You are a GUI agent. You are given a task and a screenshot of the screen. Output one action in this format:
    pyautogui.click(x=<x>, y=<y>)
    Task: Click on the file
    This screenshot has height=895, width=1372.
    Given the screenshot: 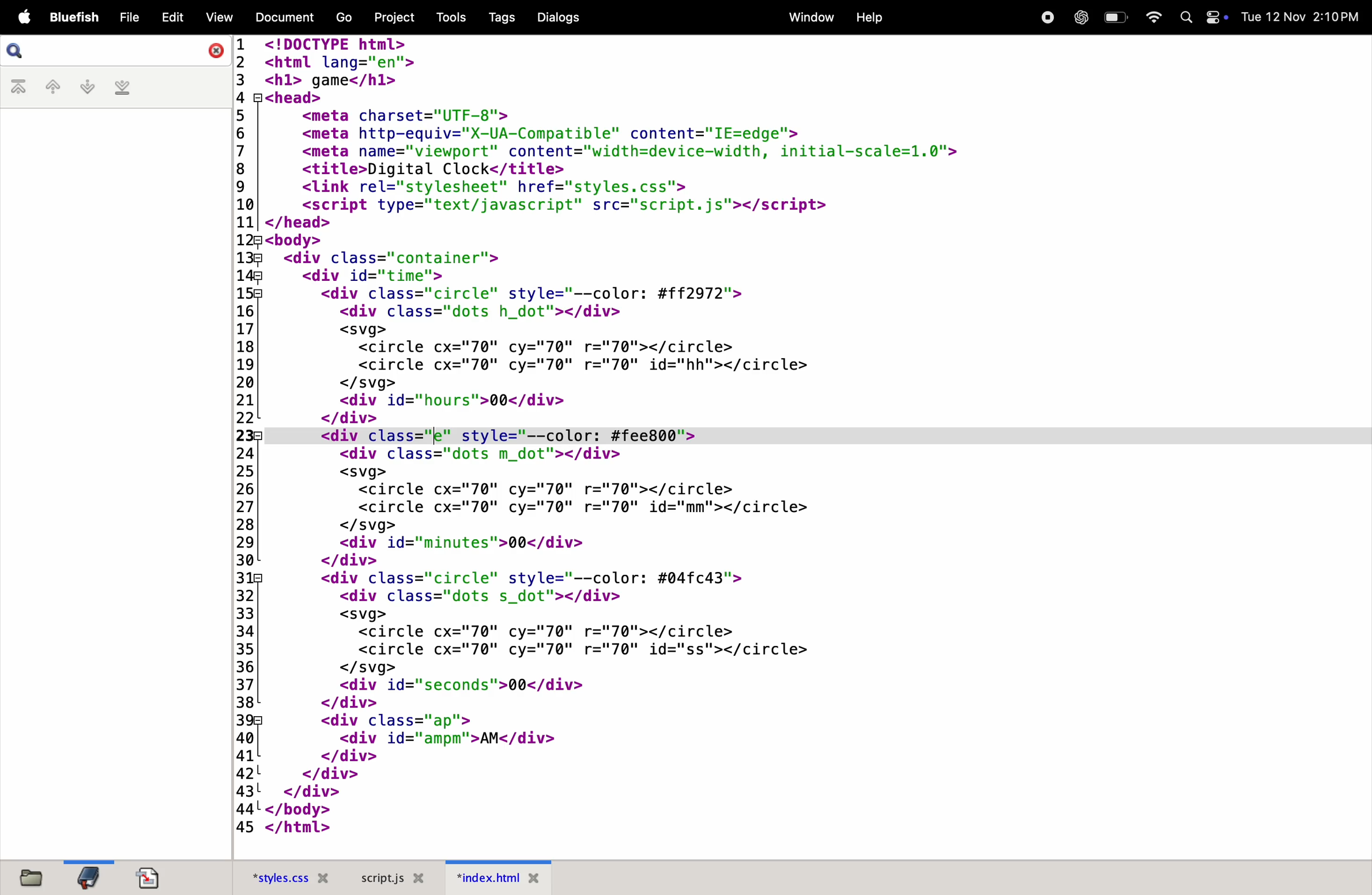 What is the action you would take?
    pyautogui.click(x=128, y=17)
    